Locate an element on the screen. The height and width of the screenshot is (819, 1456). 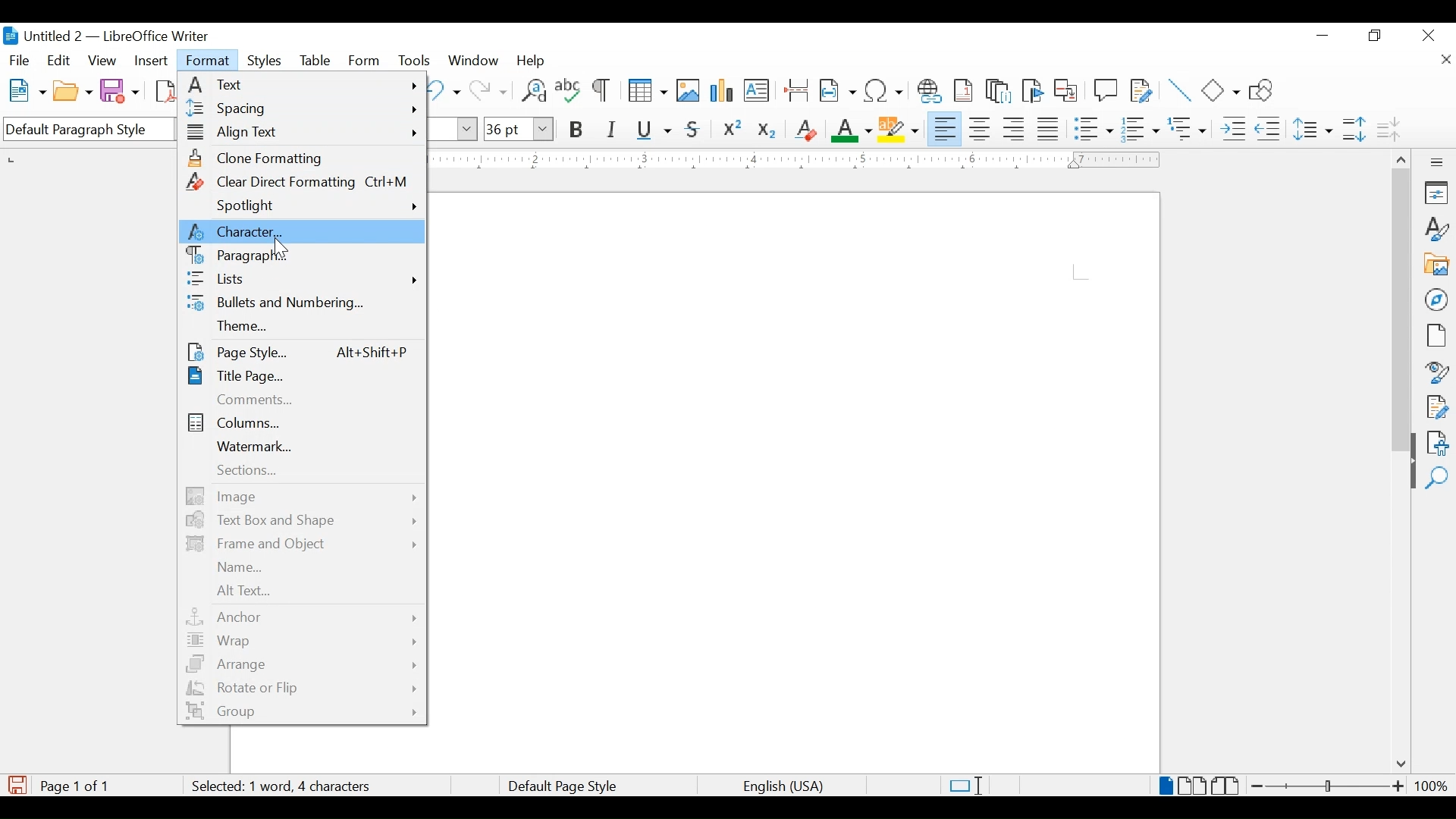
align center is located at coordinates (982, 129).